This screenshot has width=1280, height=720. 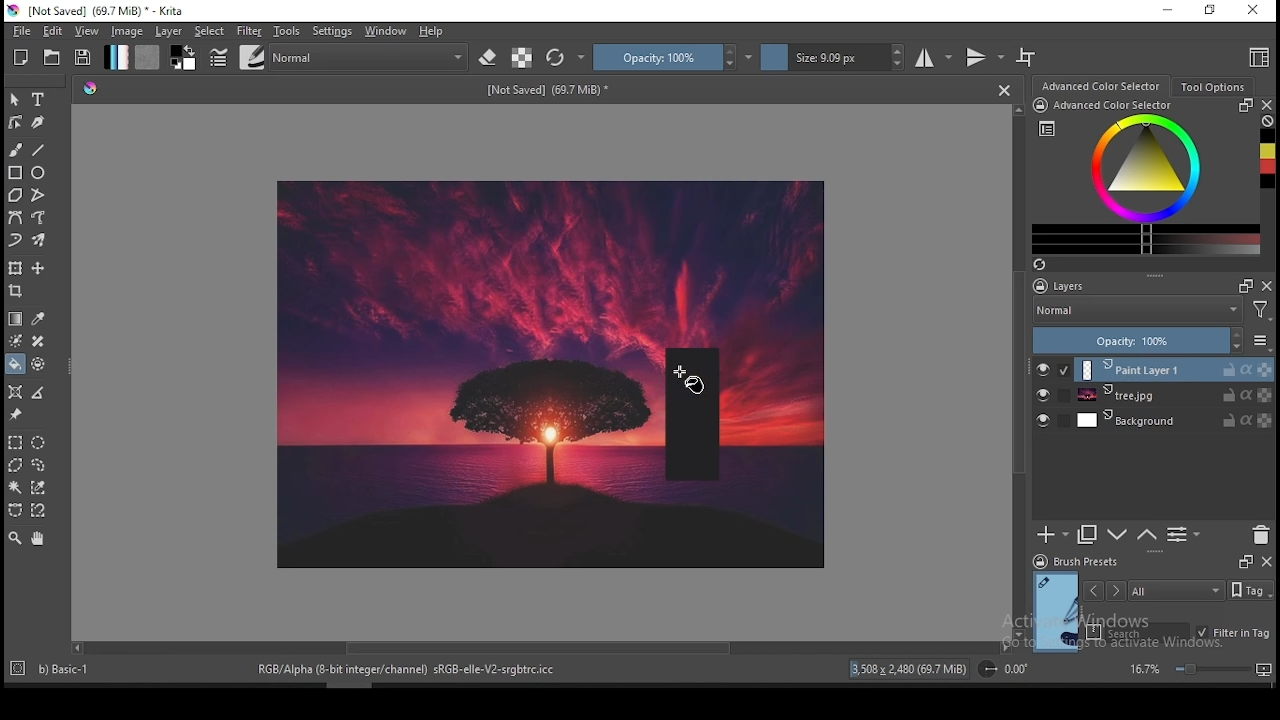 I want to click on blending mode, so click(x=1155, y=310).